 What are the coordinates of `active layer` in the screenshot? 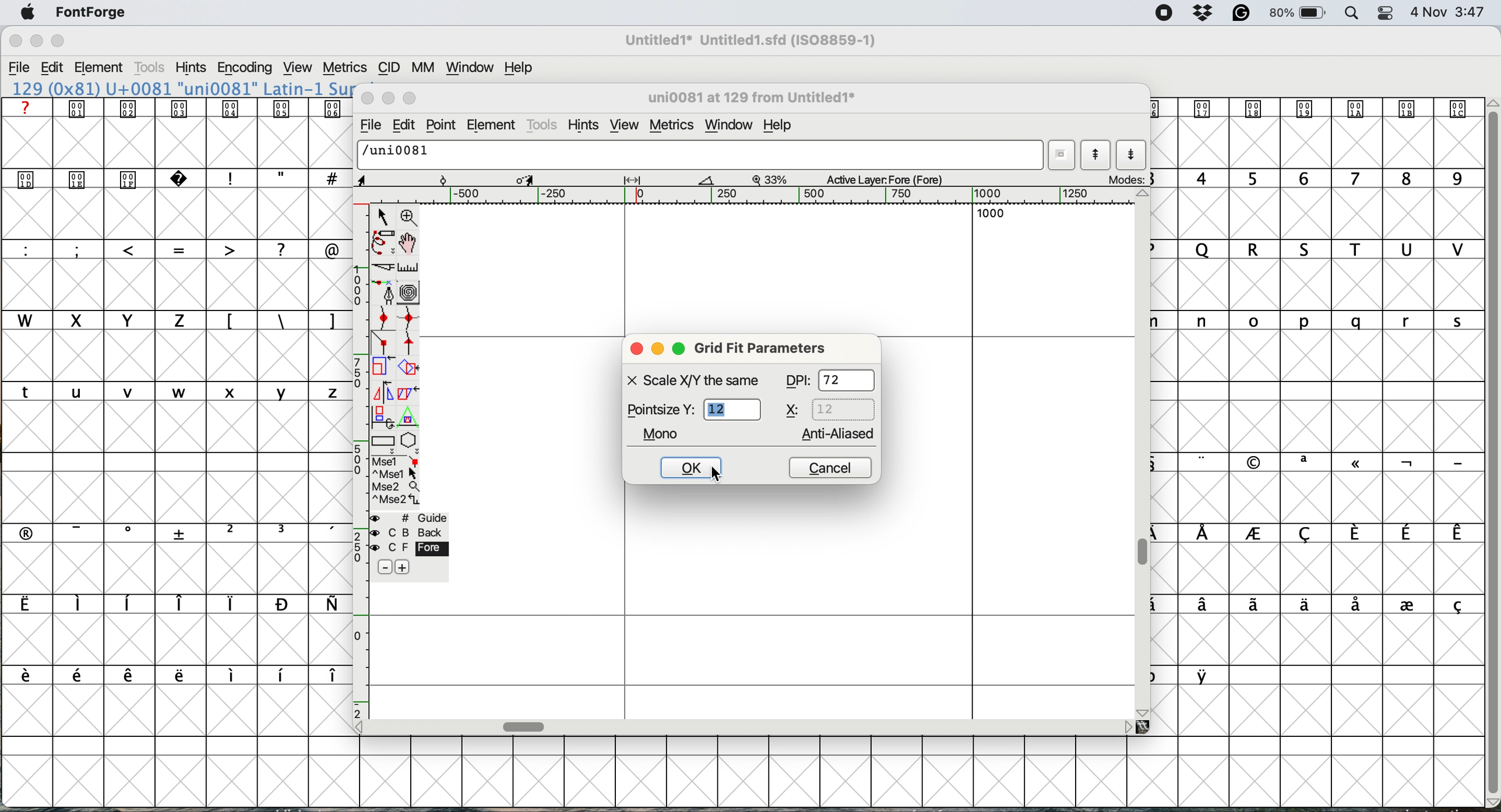 It's located at (886, 180).